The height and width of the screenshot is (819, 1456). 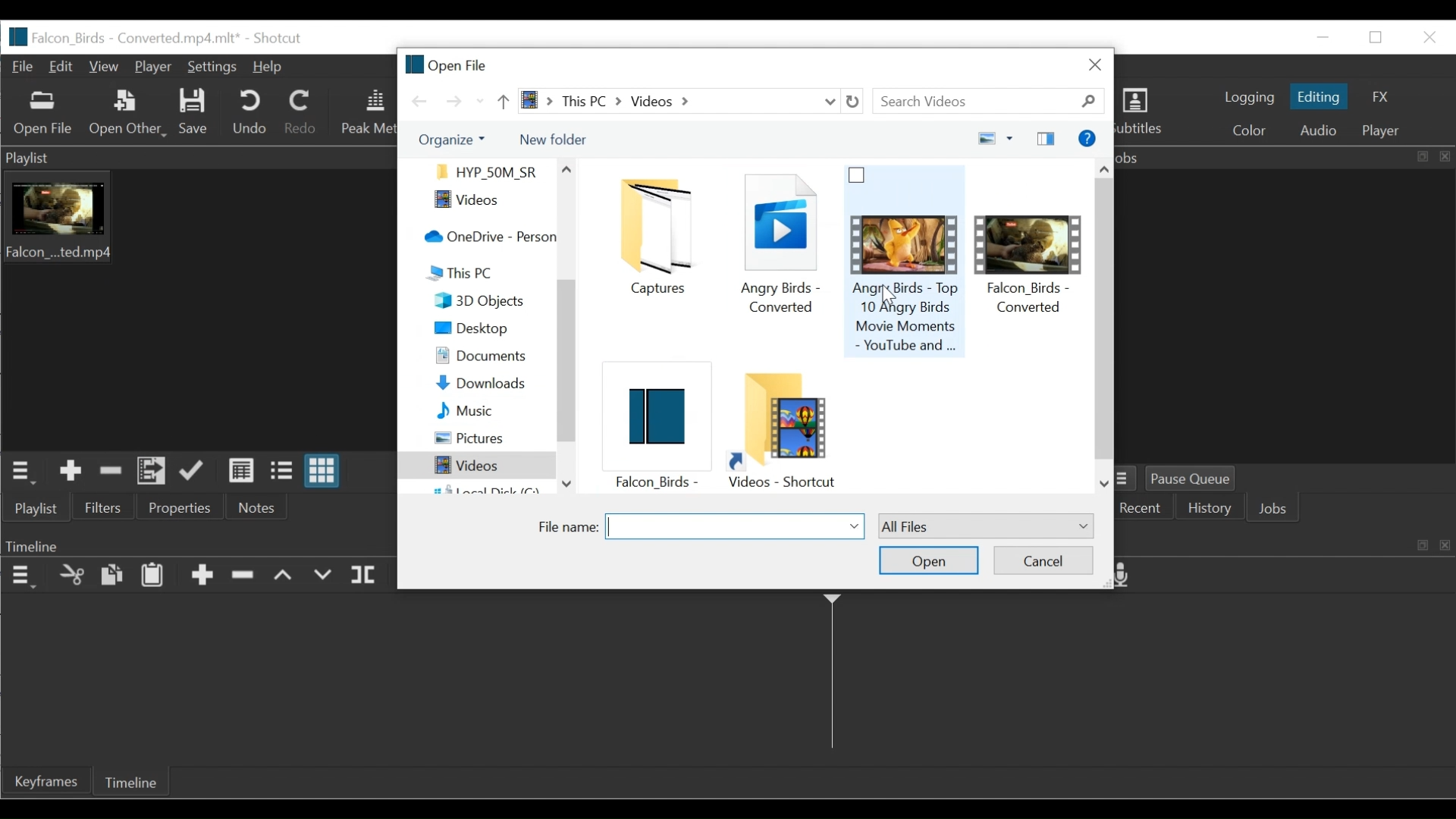 What do you see at coordinates (43, 114) in the screenshot?
I see `Open Other File` at bounding box center [43, 114].